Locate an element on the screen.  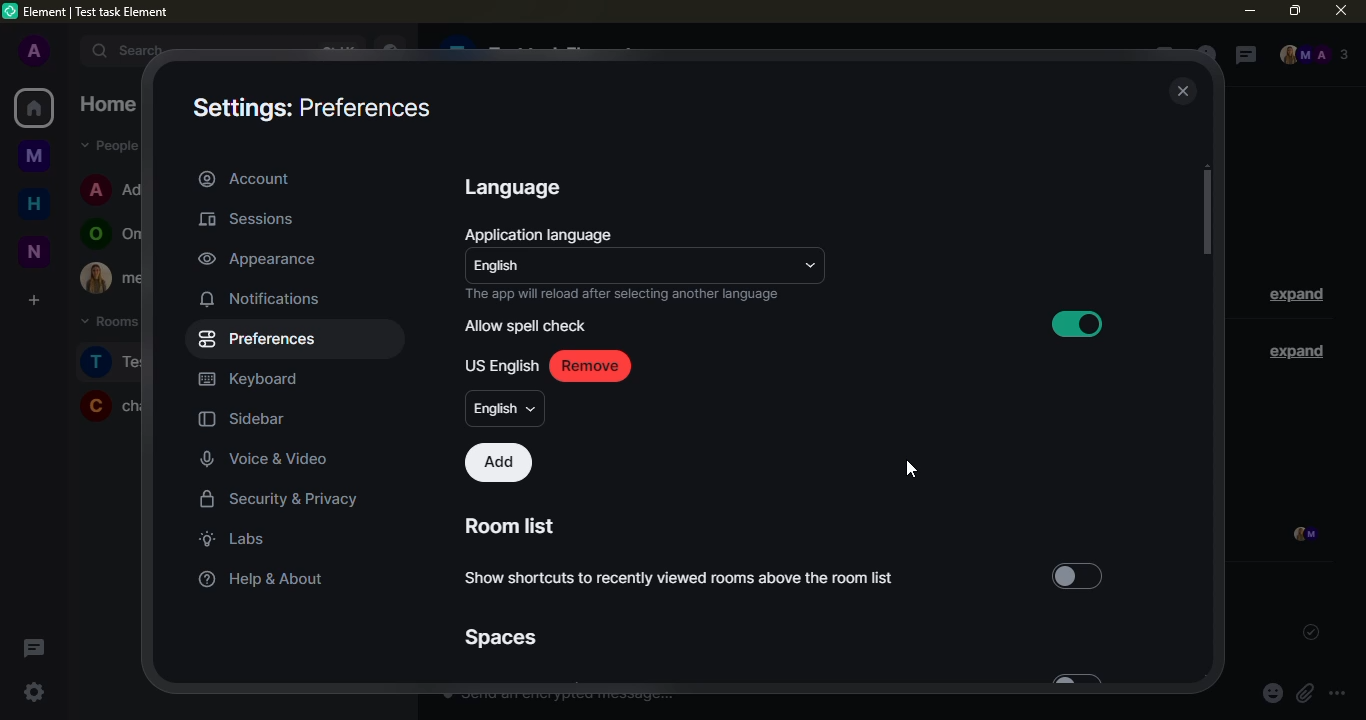
cursor is located at coordinates (911, 473).